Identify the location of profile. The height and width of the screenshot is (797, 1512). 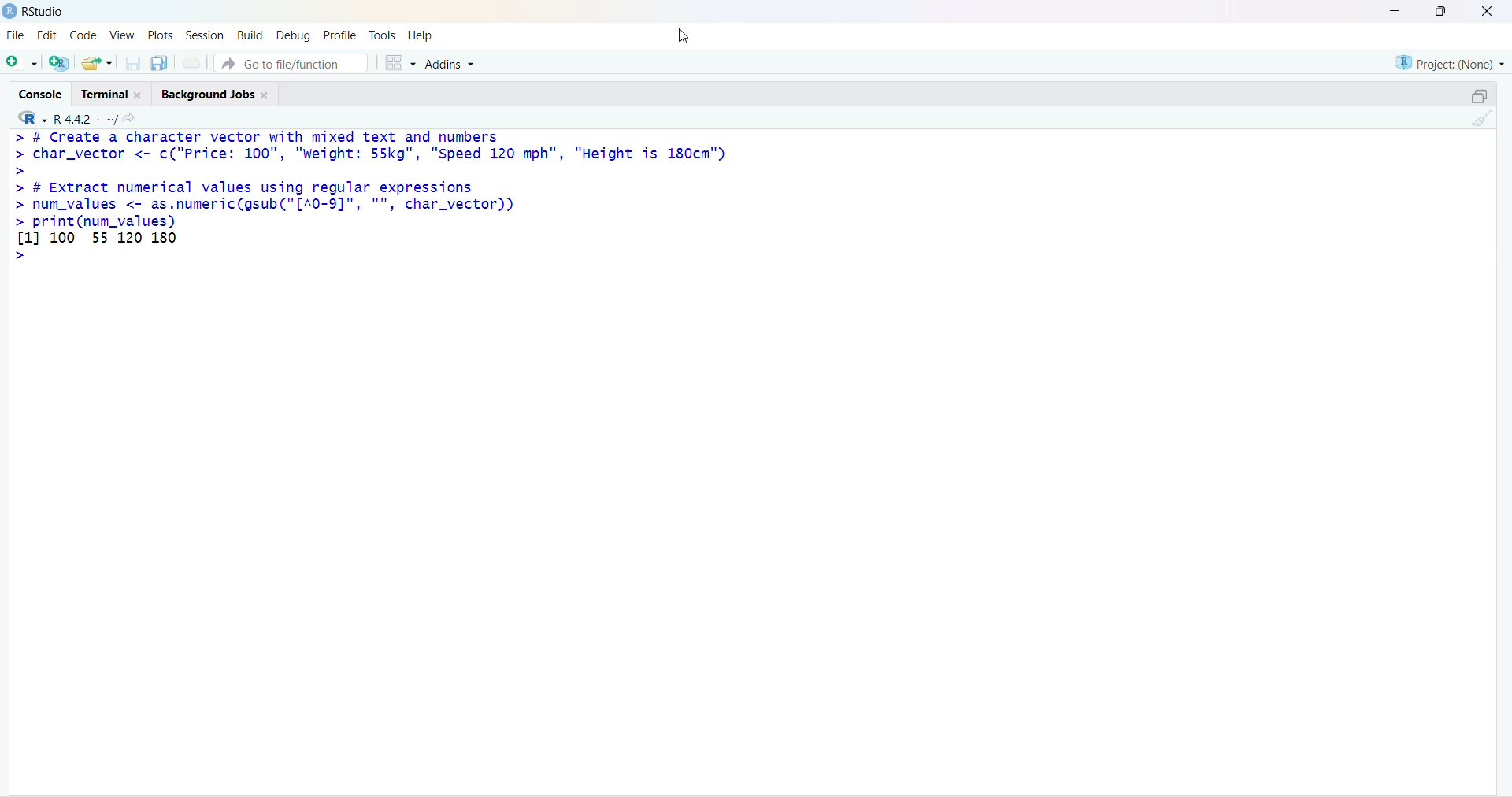
(340, 36).